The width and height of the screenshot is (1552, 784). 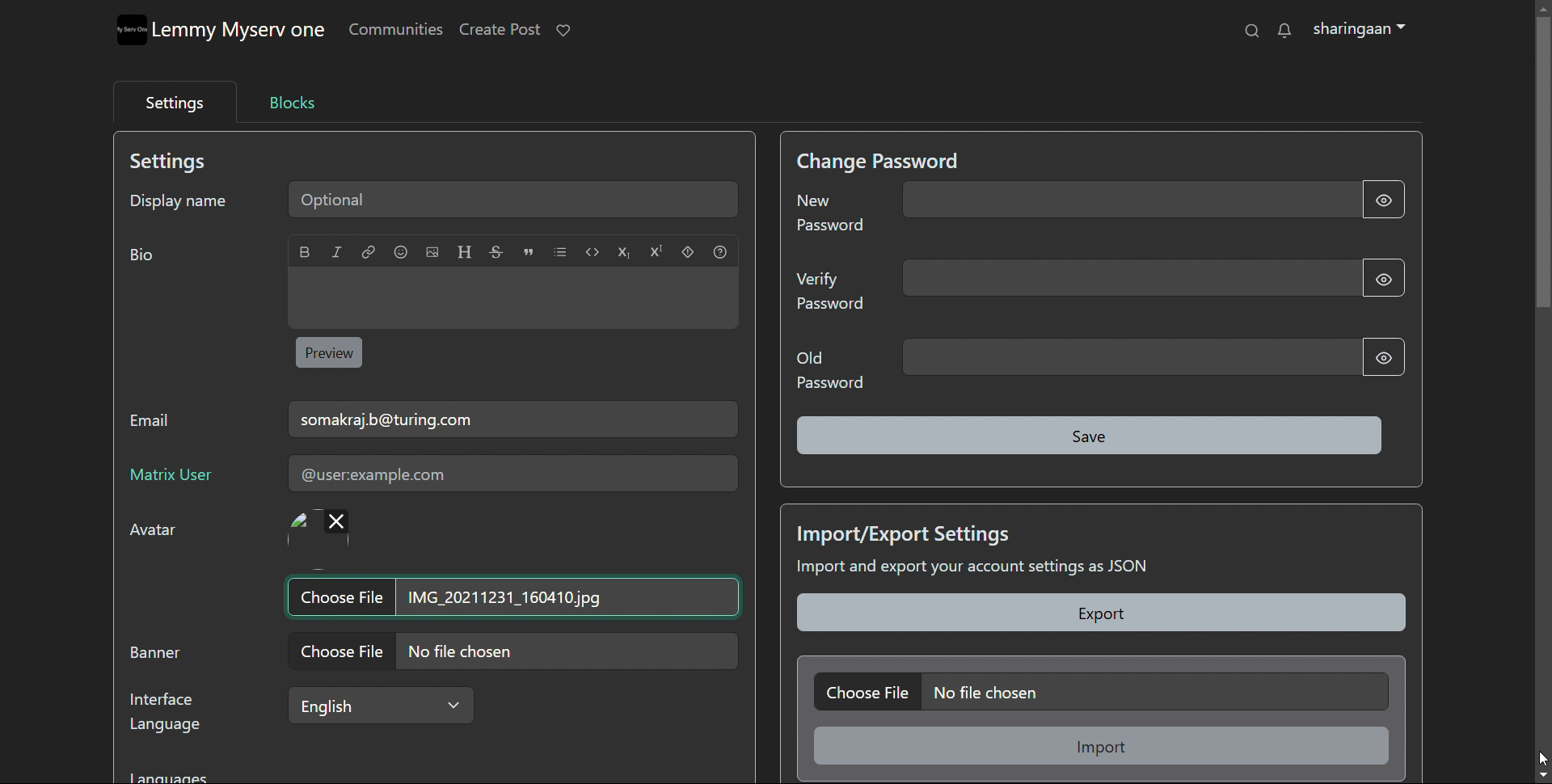 What do you see at coordinates (162, 534) in the screenshot?
I see `Avatar` at bounding box center [162, 534].